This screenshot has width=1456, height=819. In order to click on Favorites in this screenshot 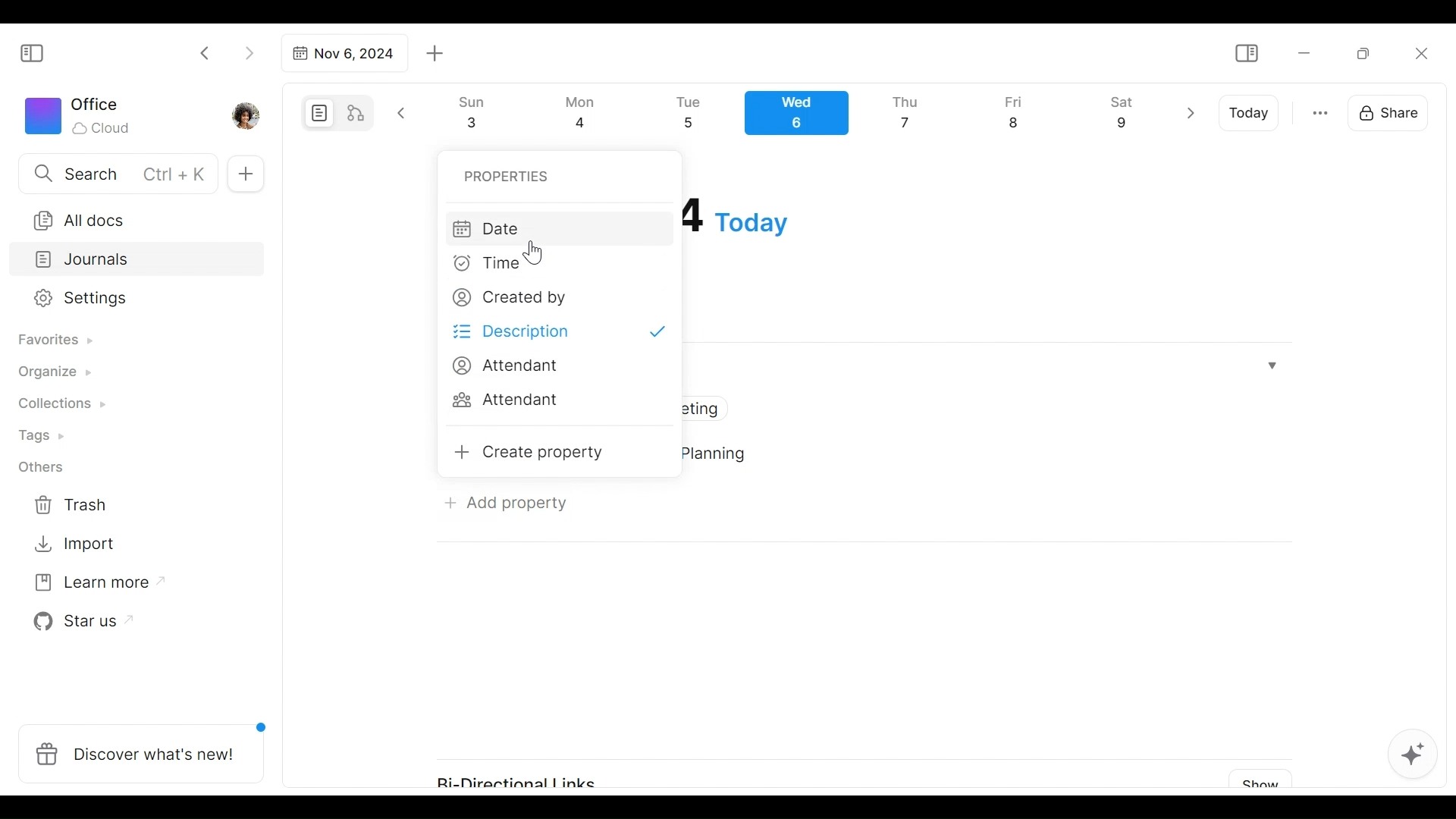, I will do `click(54, 340)`.